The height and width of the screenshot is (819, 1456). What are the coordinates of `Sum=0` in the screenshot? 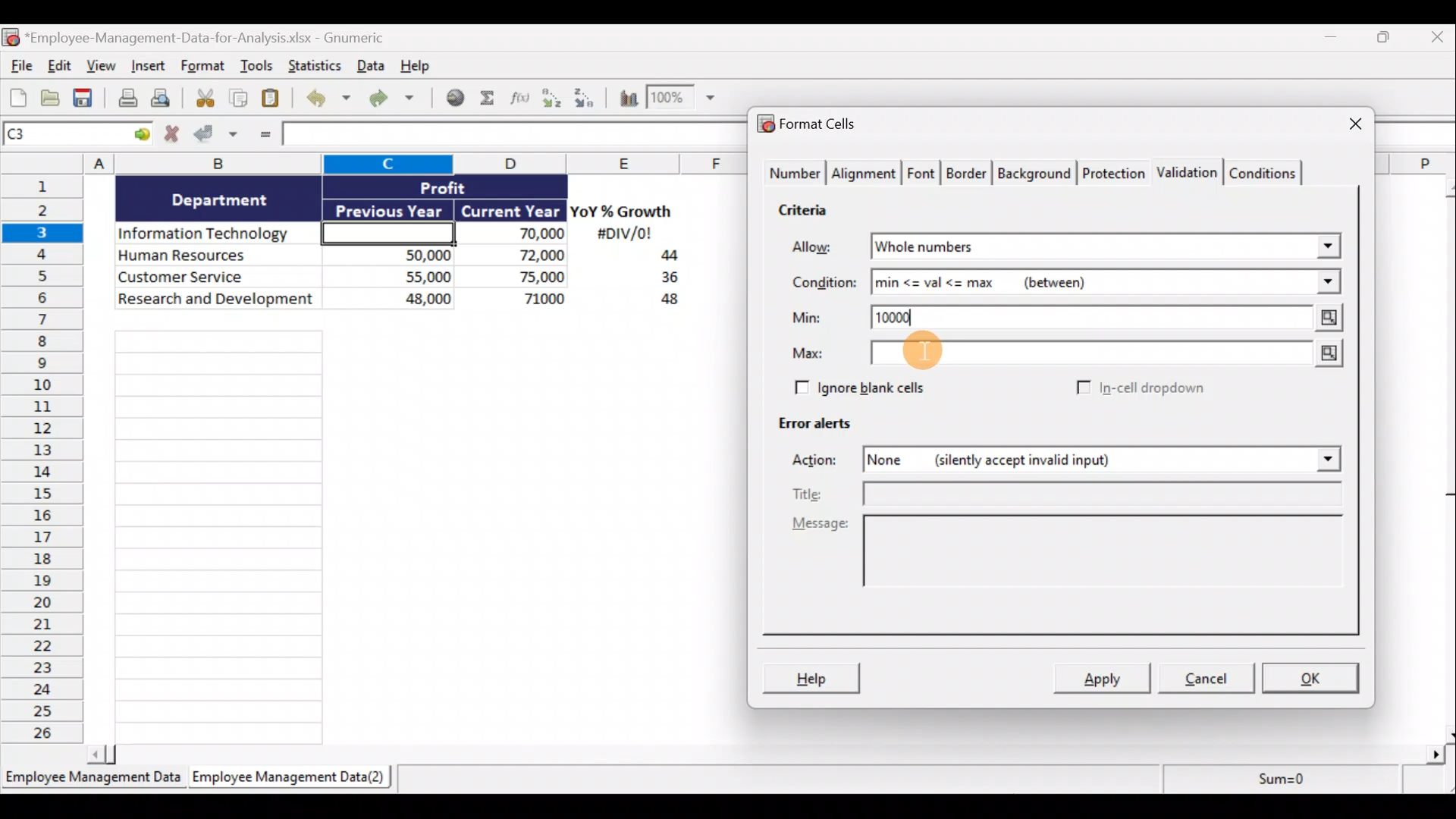 It's located at (1275, 783).